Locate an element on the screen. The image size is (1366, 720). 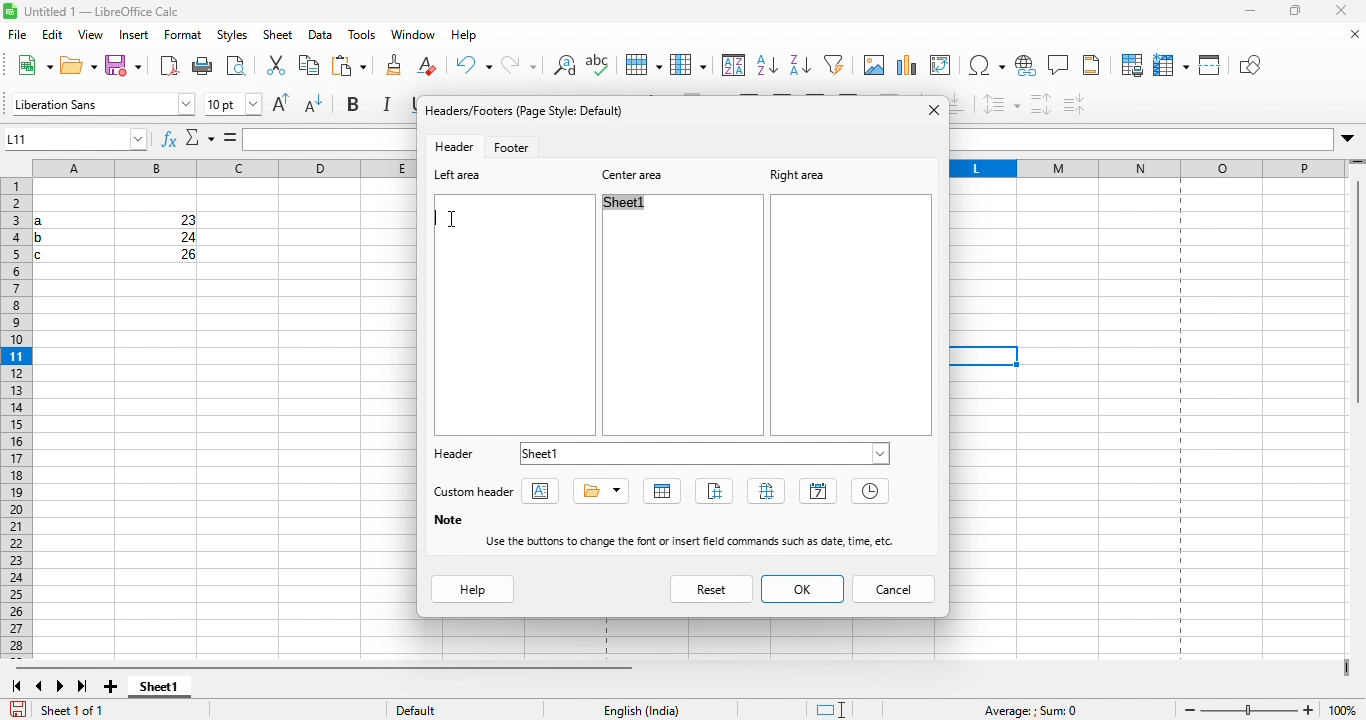
close is located at coordinates (928, 113).